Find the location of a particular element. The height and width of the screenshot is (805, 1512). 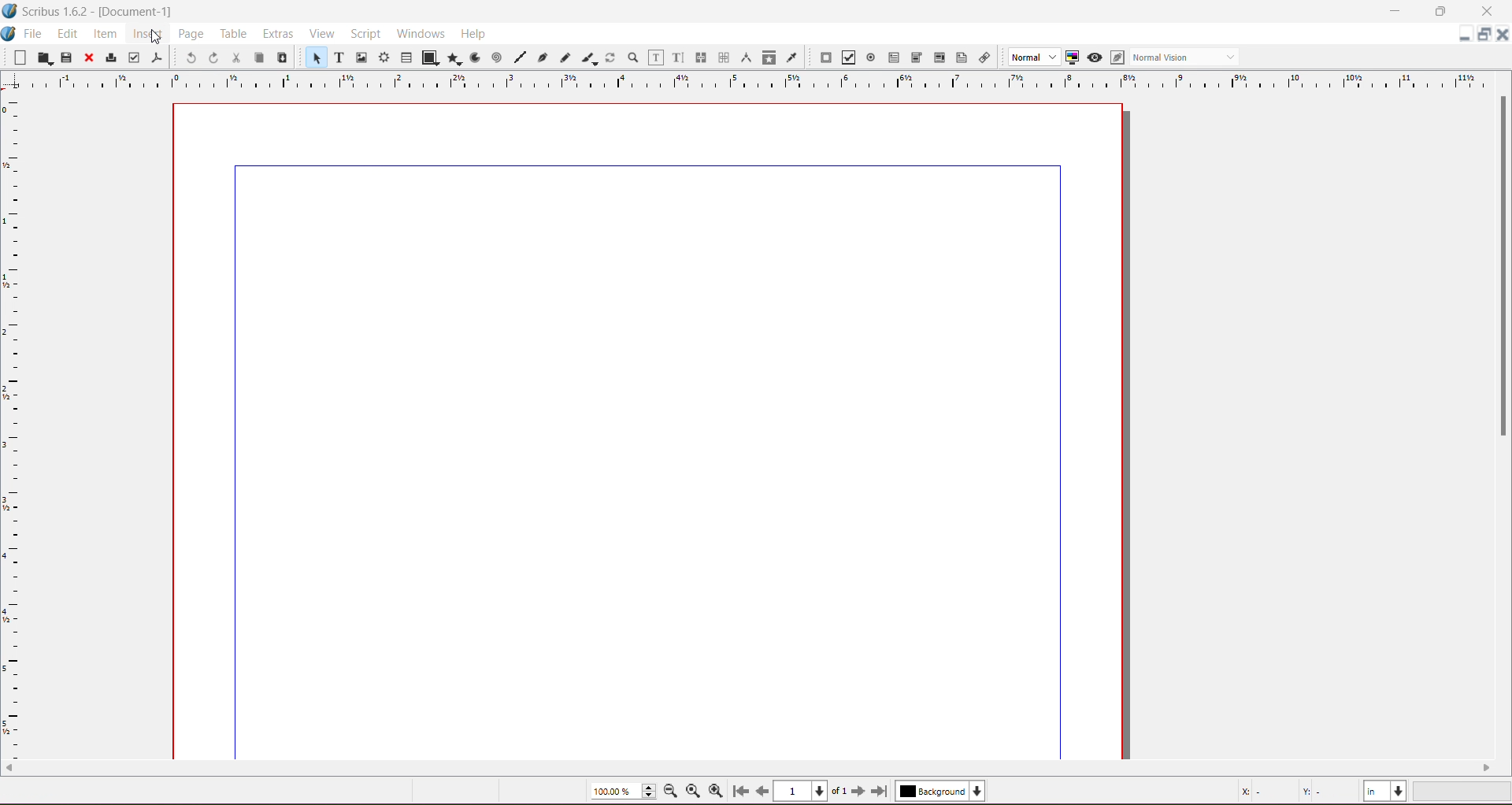

Windows is located at coordinates (419, 32).